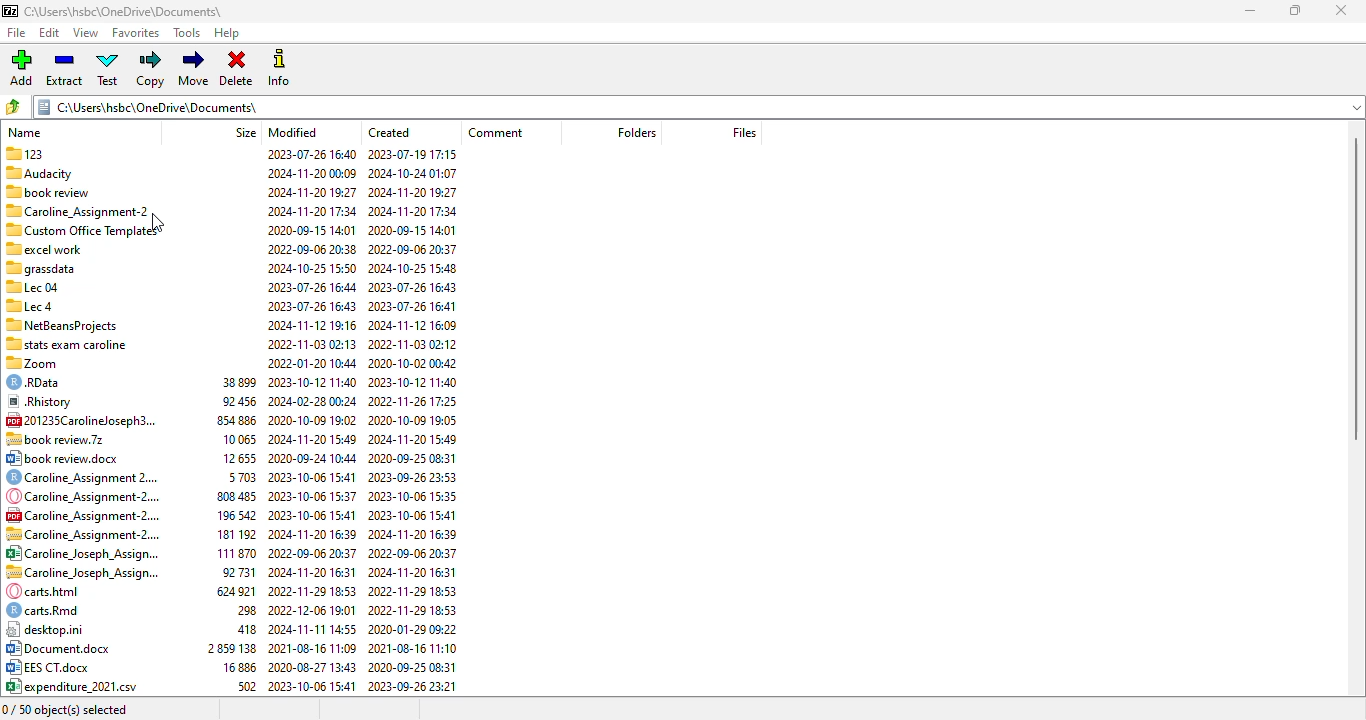  Describe the element at coordinates (312, 172) in the screenshot. I see `2024-11-20 00:09` at that location.